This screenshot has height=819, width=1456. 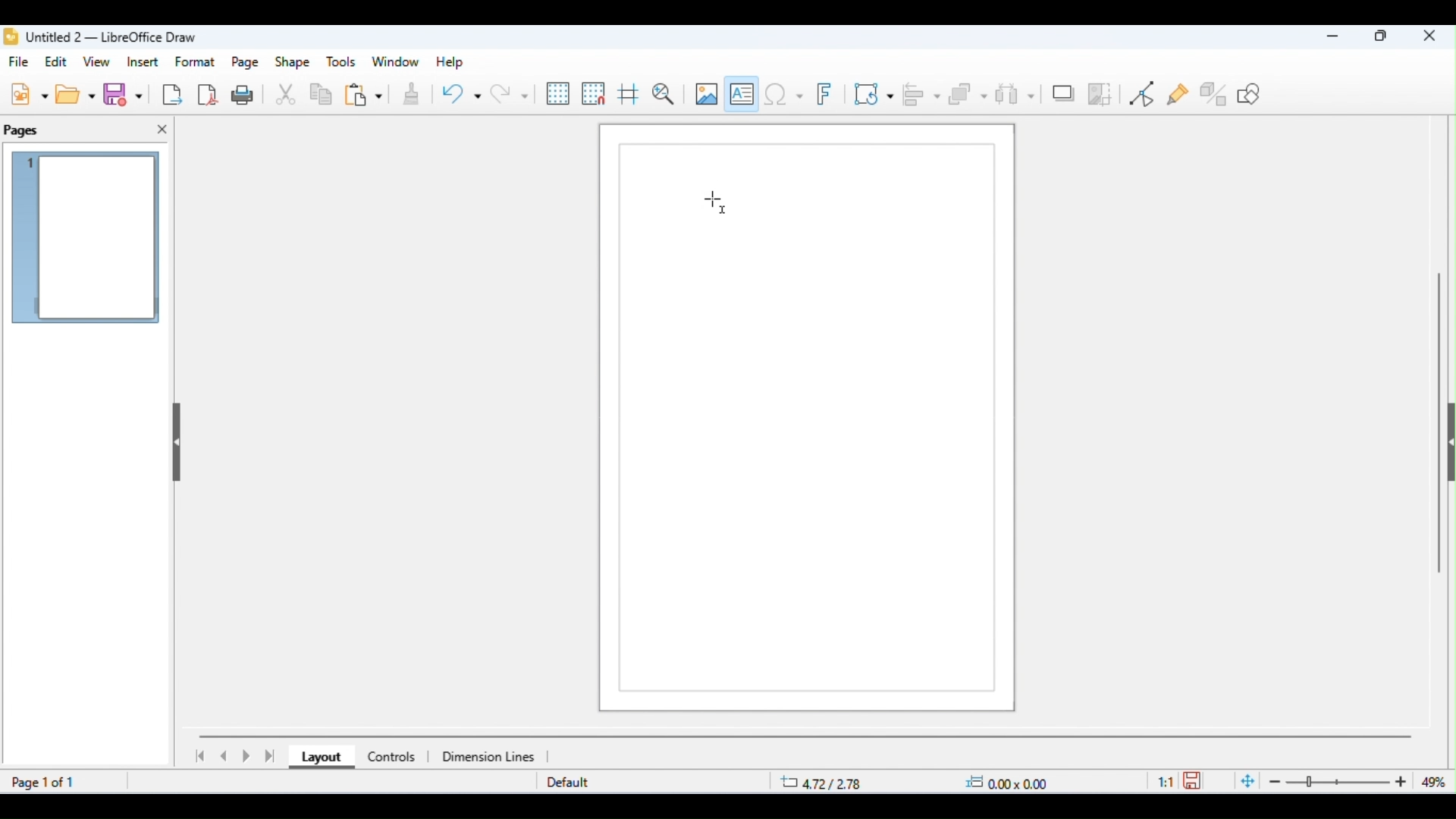 What do you see at coordinates (491, 756) in the screenshot?
I see `dimensions line` at bounding box center [491, 756].